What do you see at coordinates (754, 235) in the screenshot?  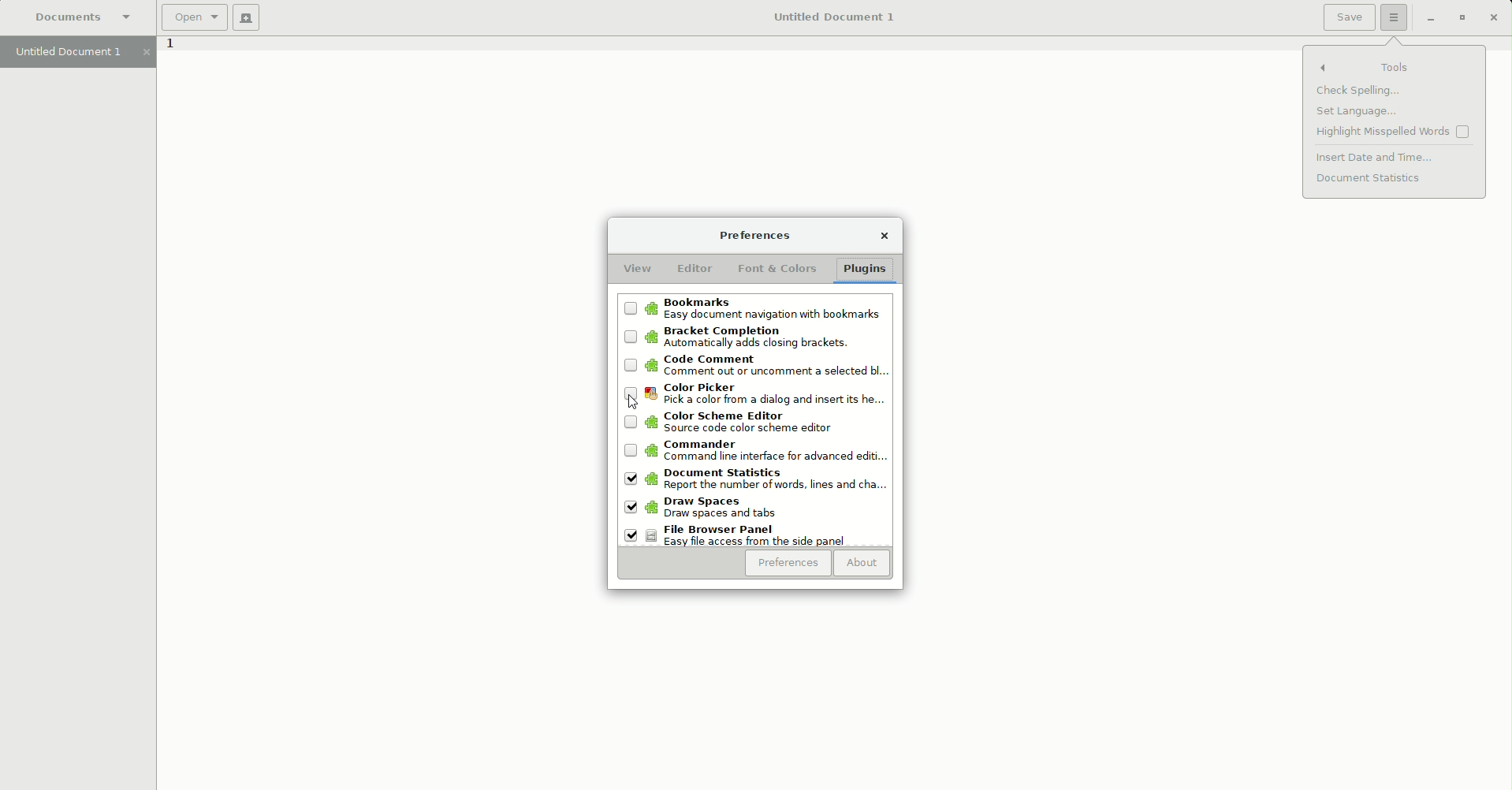 I see `Preferences` at bounding box center [754, 235].